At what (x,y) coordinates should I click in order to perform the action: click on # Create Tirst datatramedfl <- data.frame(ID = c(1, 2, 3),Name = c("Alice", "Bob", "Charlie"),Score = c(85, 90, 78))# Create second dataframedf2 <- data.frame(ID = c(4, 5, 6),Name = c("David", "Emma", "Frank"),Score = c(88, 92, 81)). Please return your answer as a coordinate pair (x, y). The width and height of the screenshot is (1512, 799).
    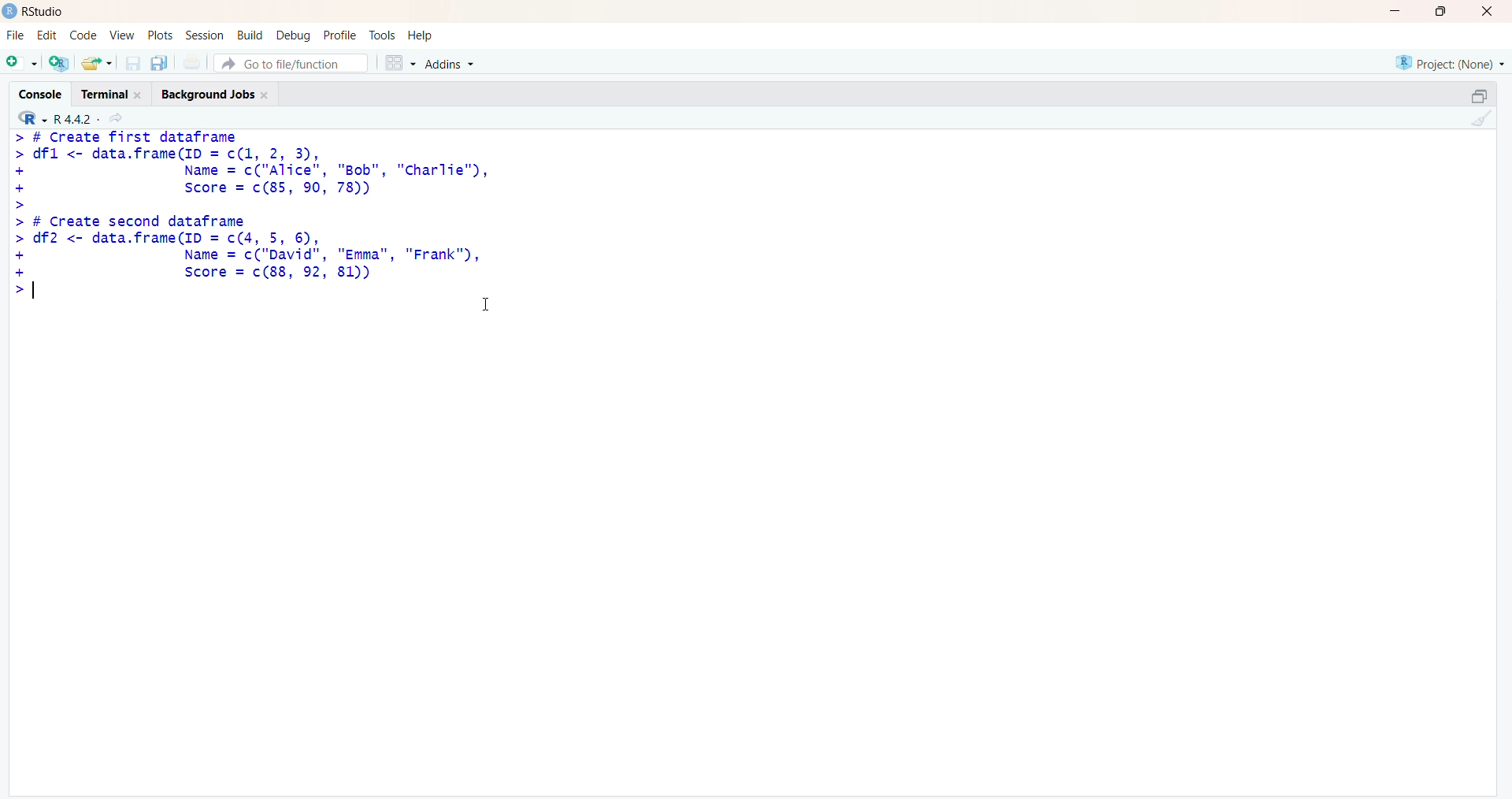
    Looking at the image, I should click on (255, 213).